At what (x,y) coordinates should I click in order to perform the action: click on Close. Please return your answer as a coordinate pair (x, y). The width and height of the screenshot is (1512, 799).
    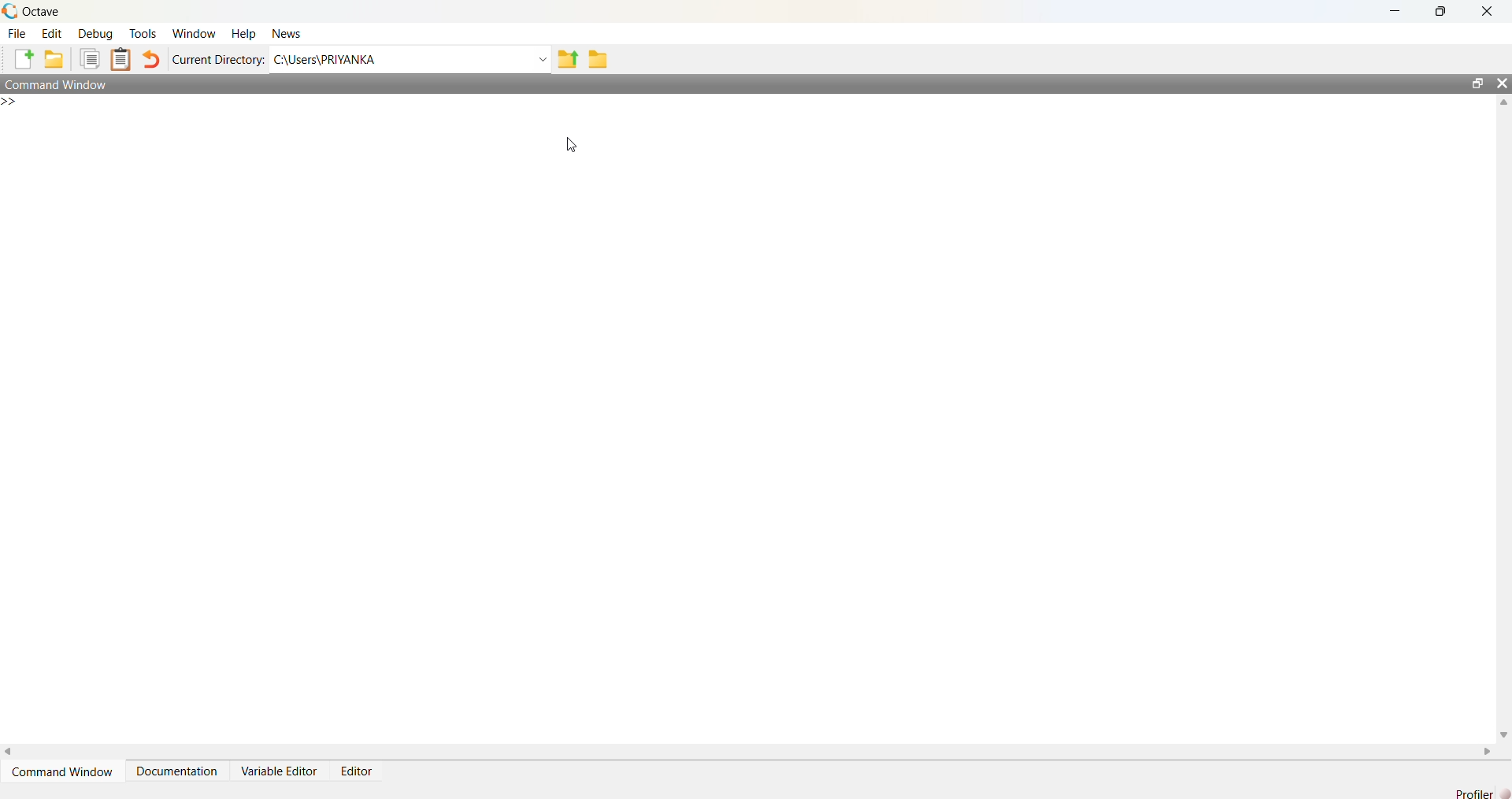
    Looking at the image, I should click on (1487, 11).